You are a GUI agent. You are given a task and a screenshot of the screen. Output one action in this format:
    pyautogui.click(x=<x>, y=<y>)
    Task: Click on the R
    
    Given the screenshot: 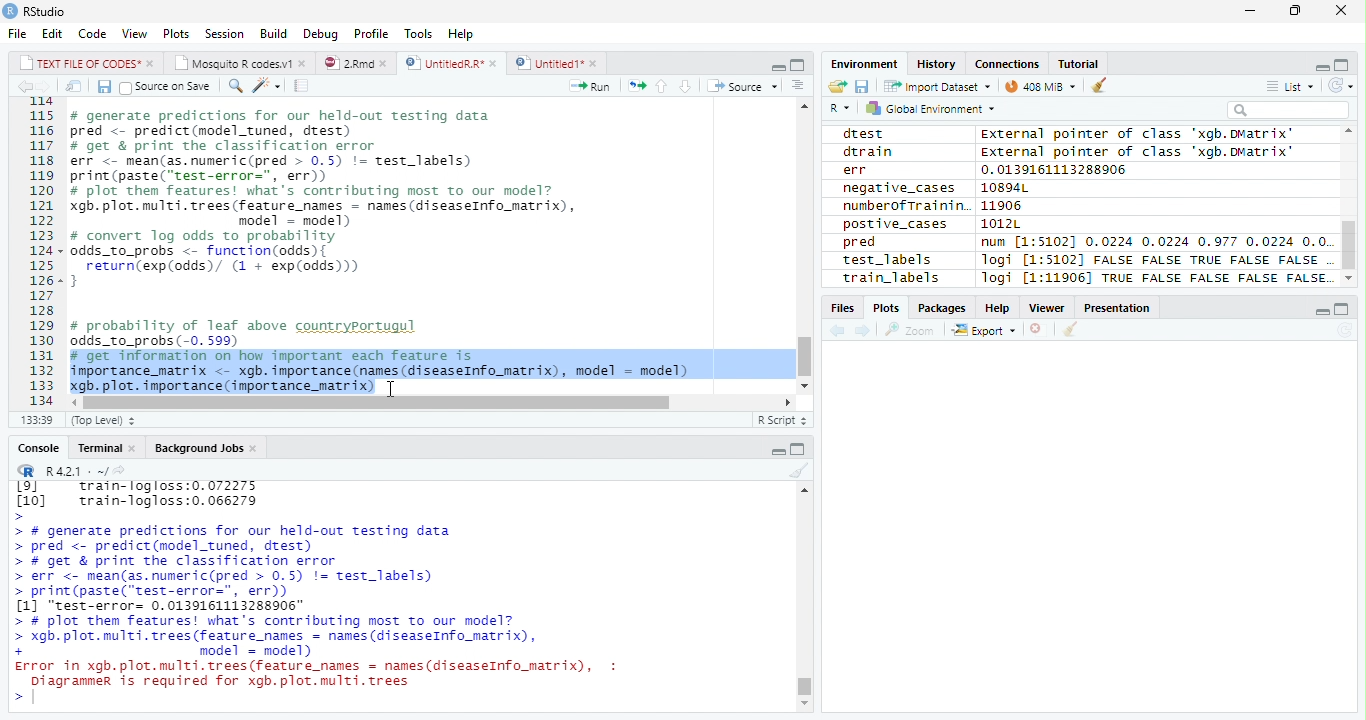 What is the action you would take?
    pyautogui.click(x=24, y=470)
    